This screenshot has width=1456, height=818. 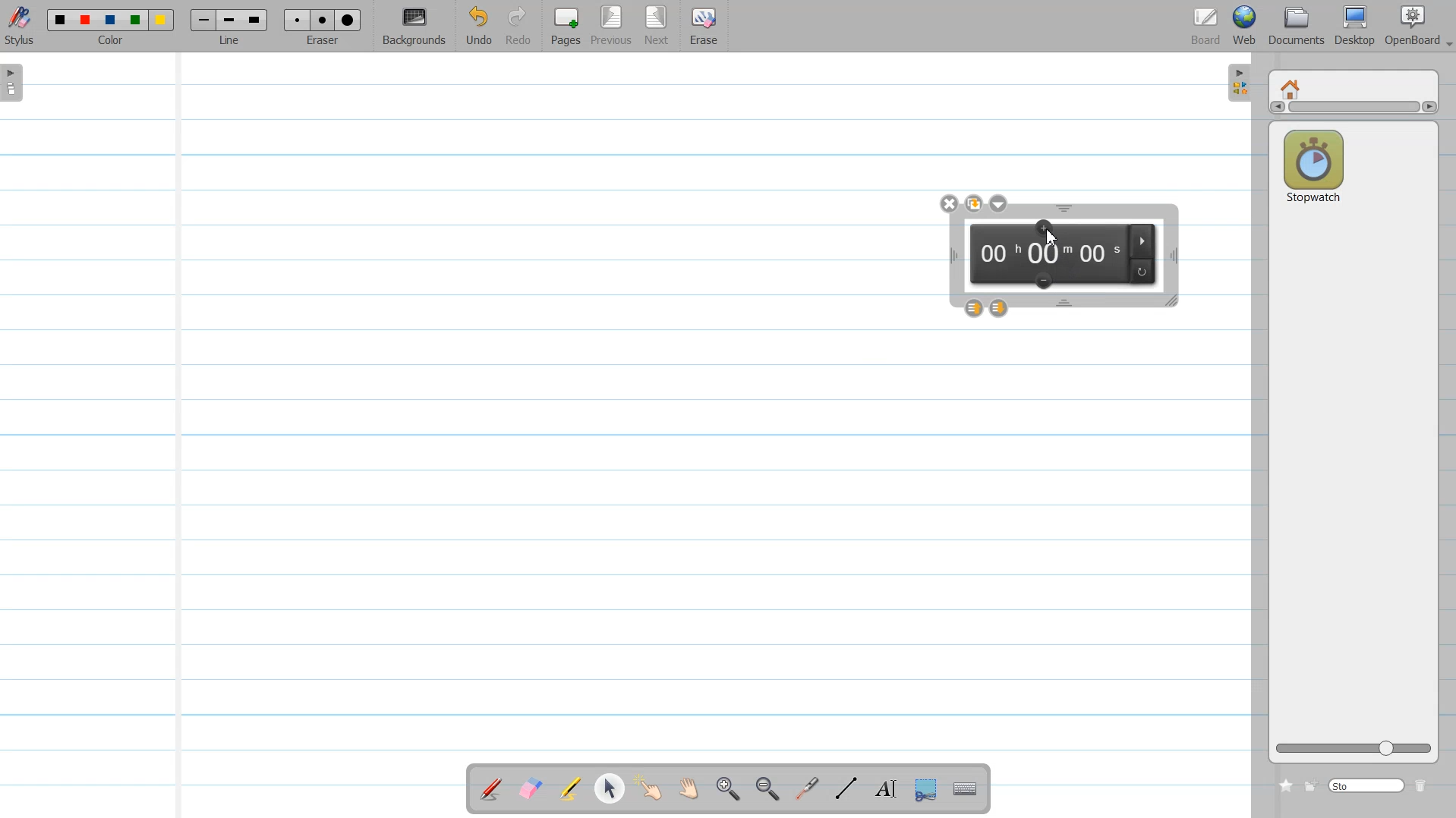 I want to click on Sidebar, so click(x=1237, y=83).